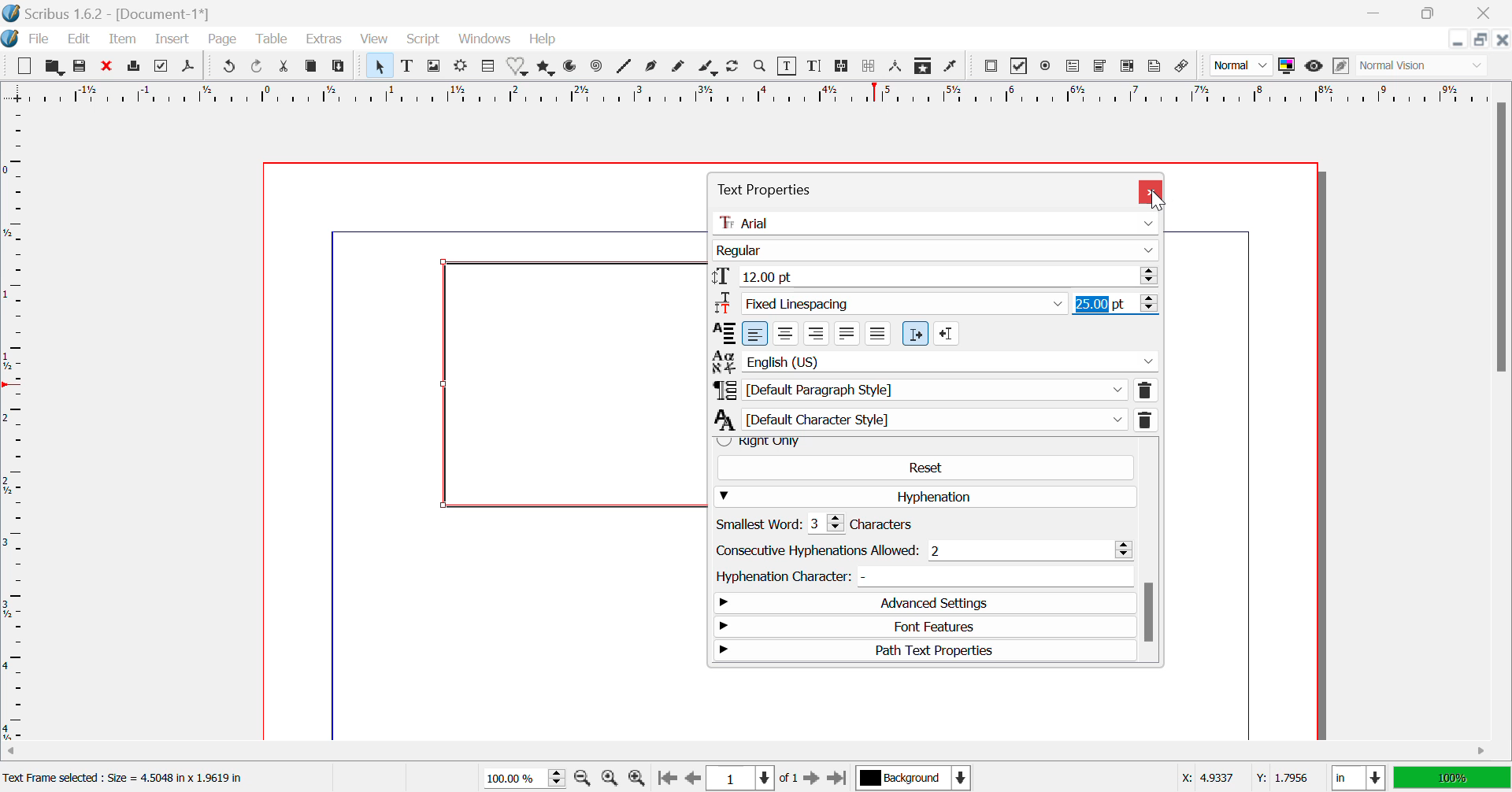  What do you see at coordinates (1503, 40) in the screenshot?
I see `Close` at bounding box center [1503, 40].